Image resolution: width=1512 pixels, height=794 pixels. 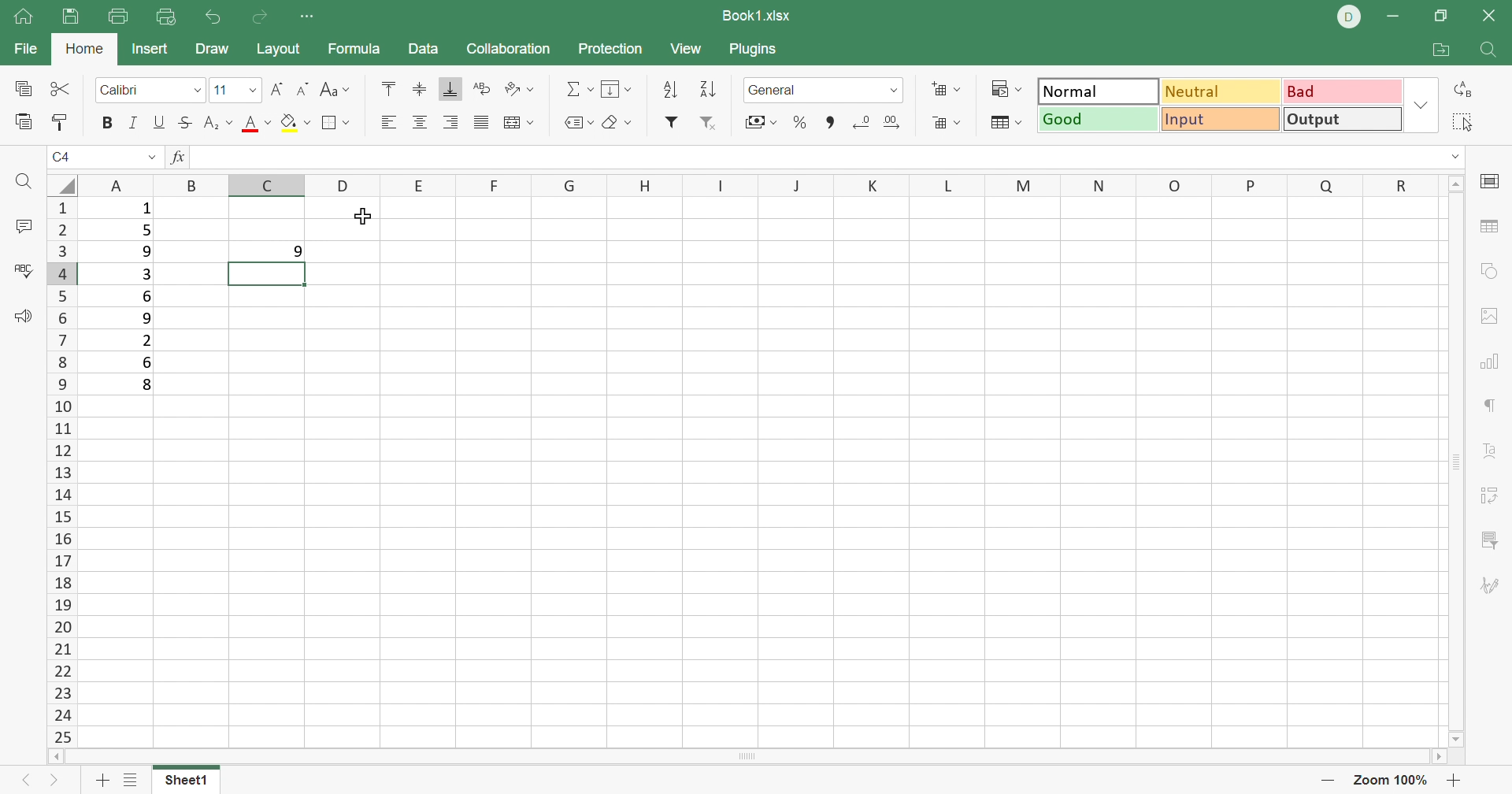 I want to click on Find, so click(x=29, y=182).